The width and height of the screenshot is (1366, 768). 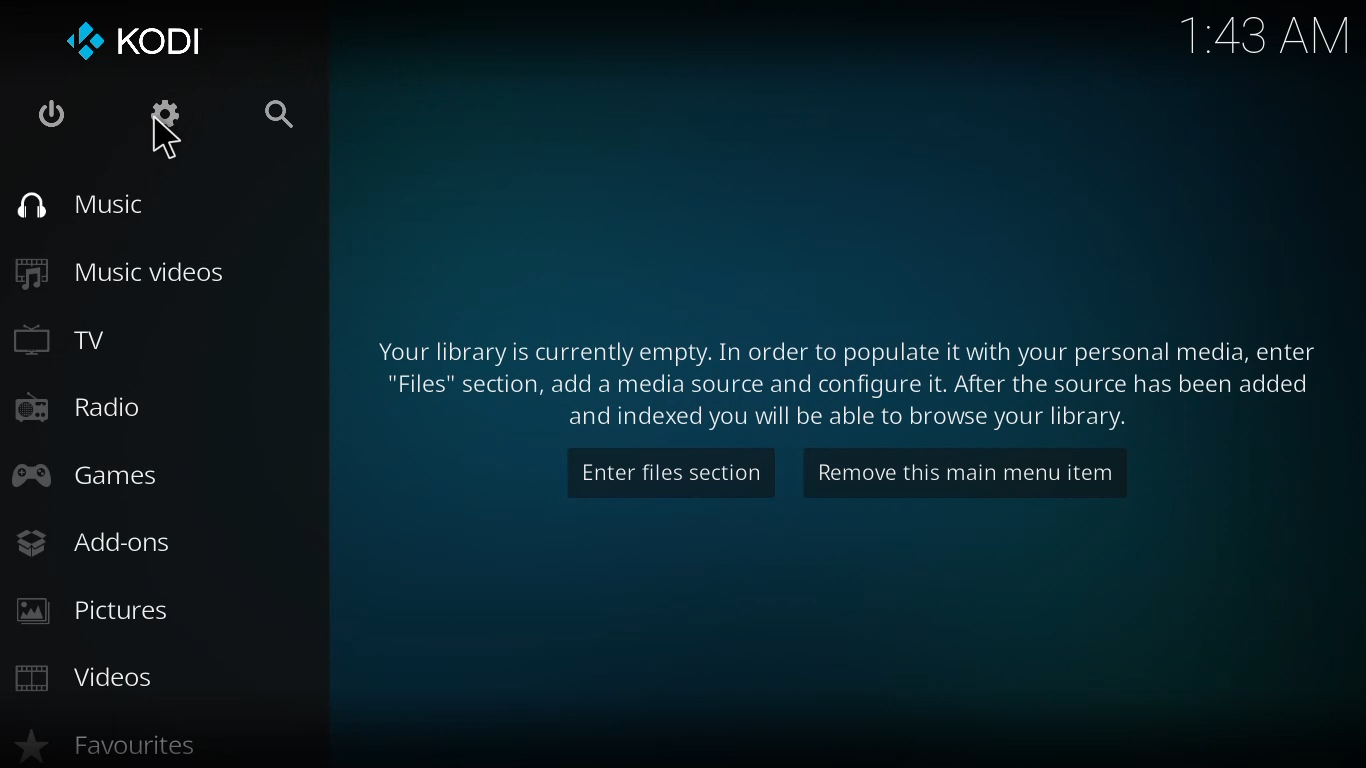 I want to click on games, so click(x=89, y=475).